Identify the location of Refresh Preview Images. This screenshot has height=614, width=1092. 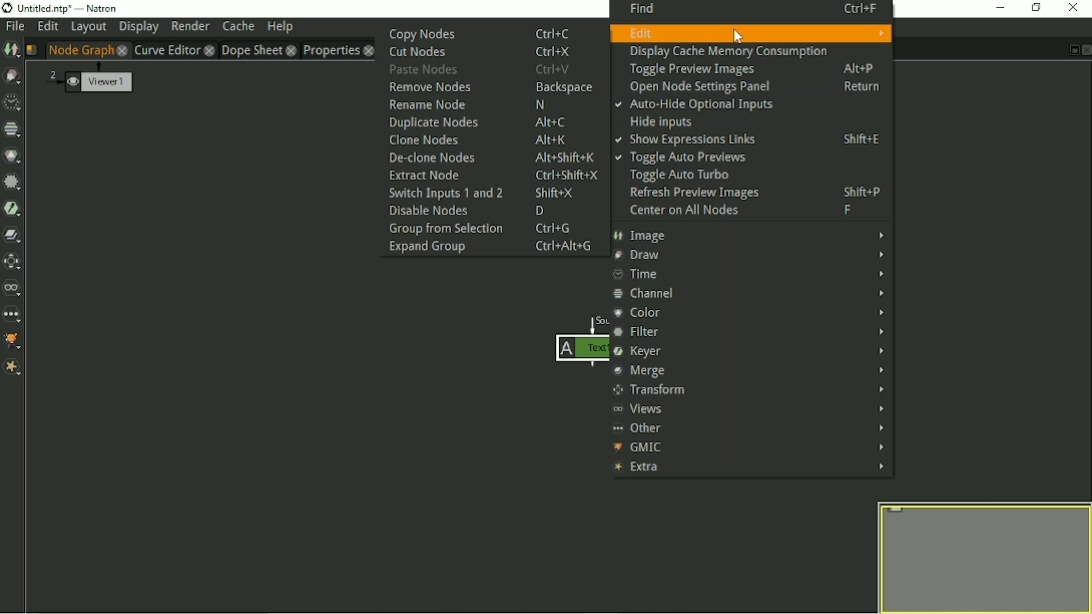
(750, 194).